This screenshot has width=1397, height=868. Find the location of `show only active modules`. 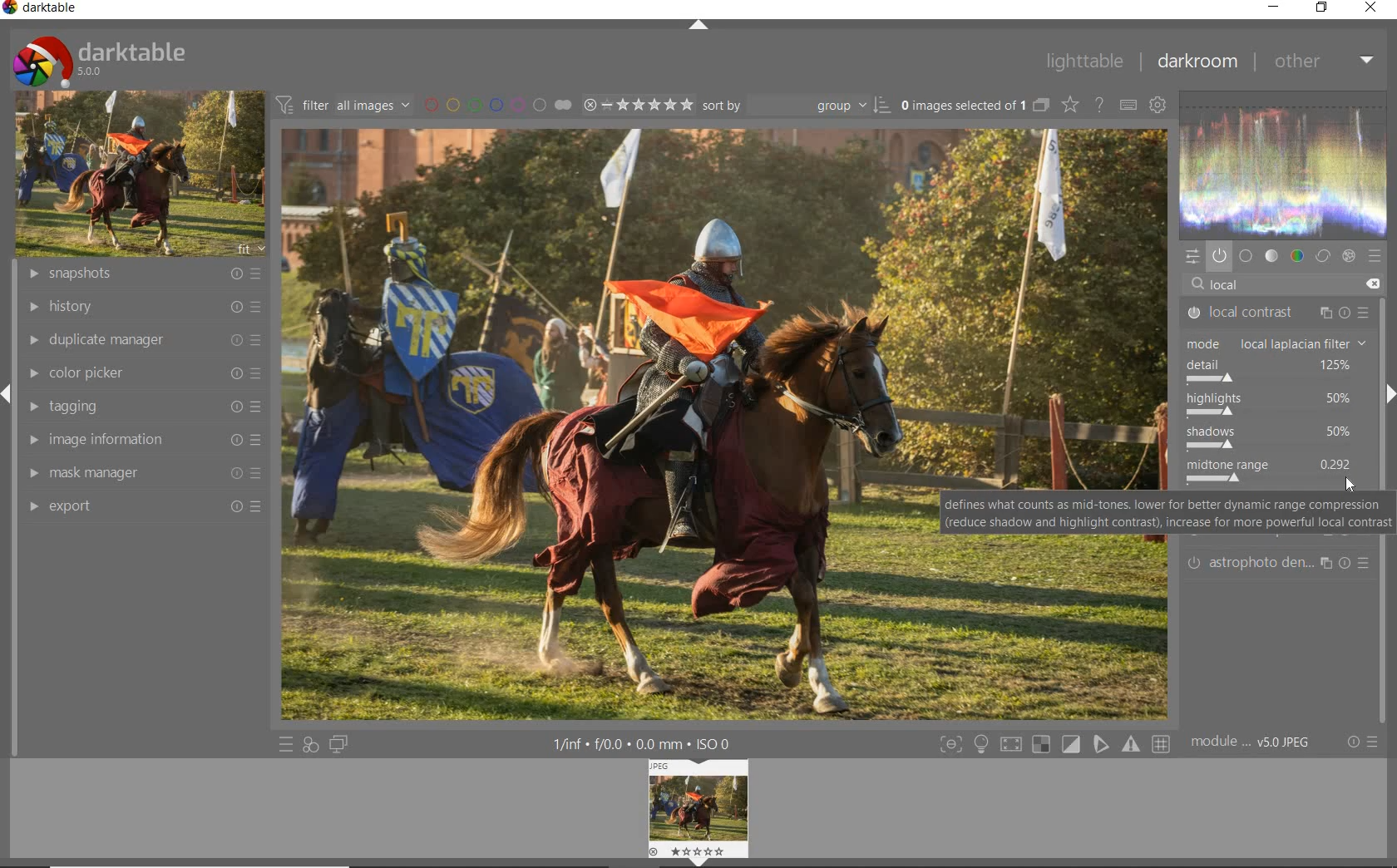

show only active modules is located at coordinates (1219, 253).